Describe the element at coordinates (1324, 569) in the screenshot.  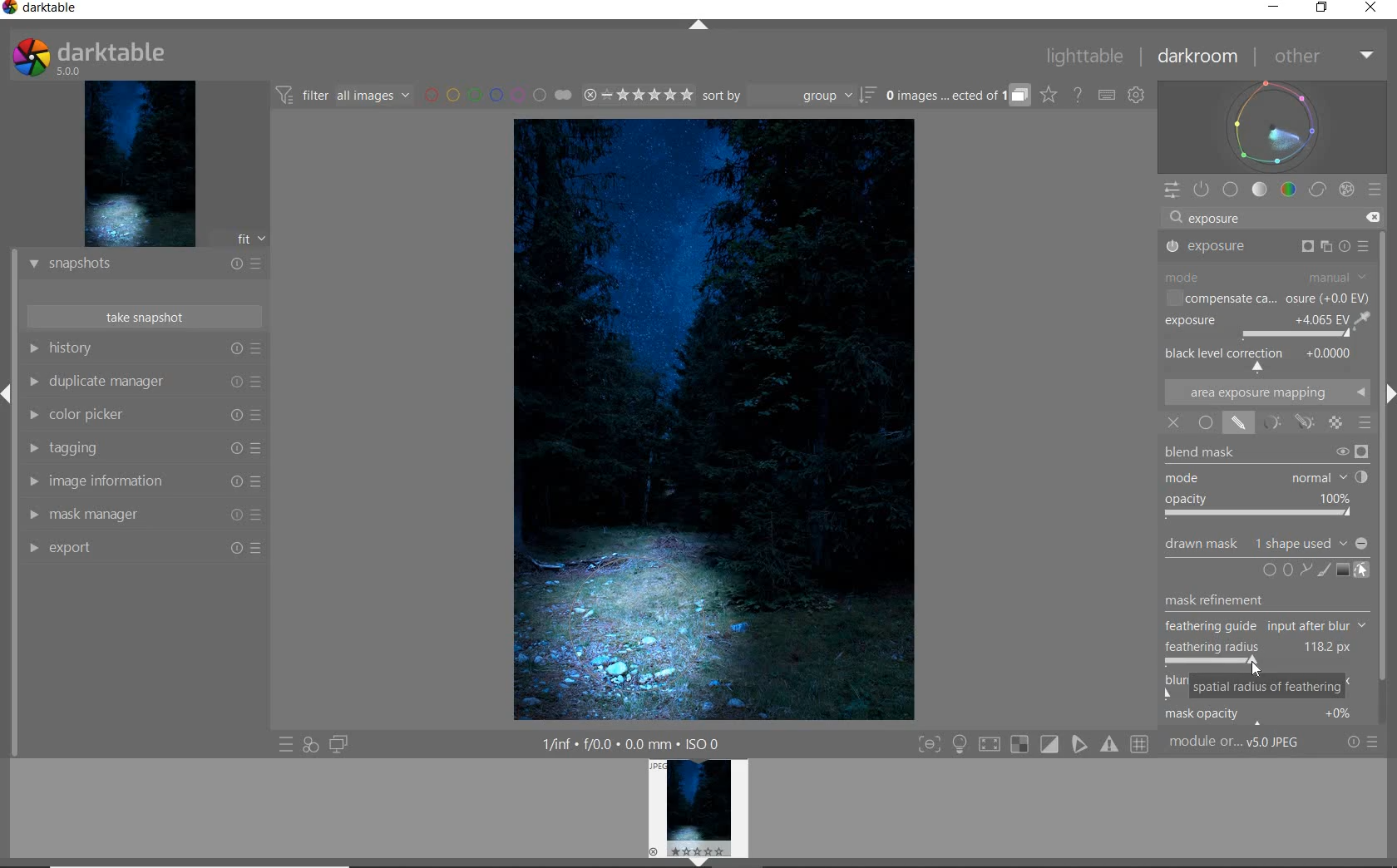
I see `ADD BRUSH` at that location.